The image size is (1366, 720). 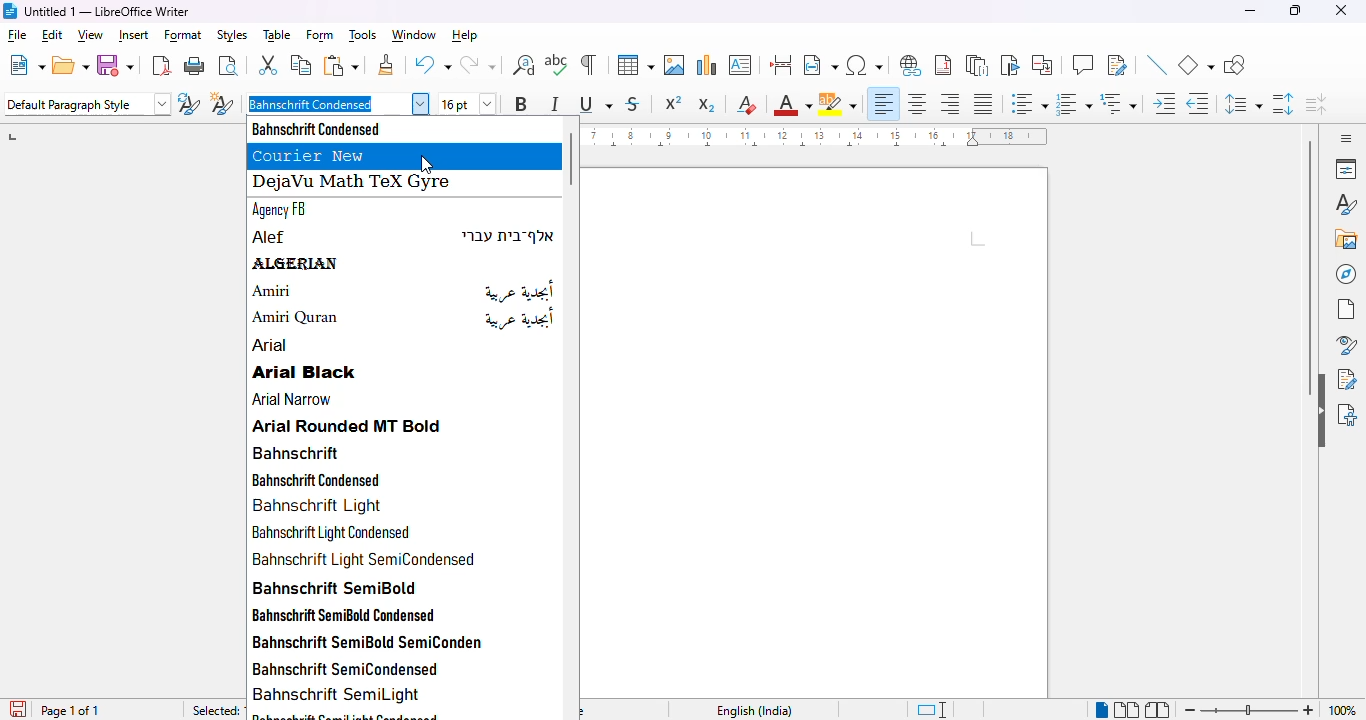 I want to click on zoom out, so click(x=1188, y=709).